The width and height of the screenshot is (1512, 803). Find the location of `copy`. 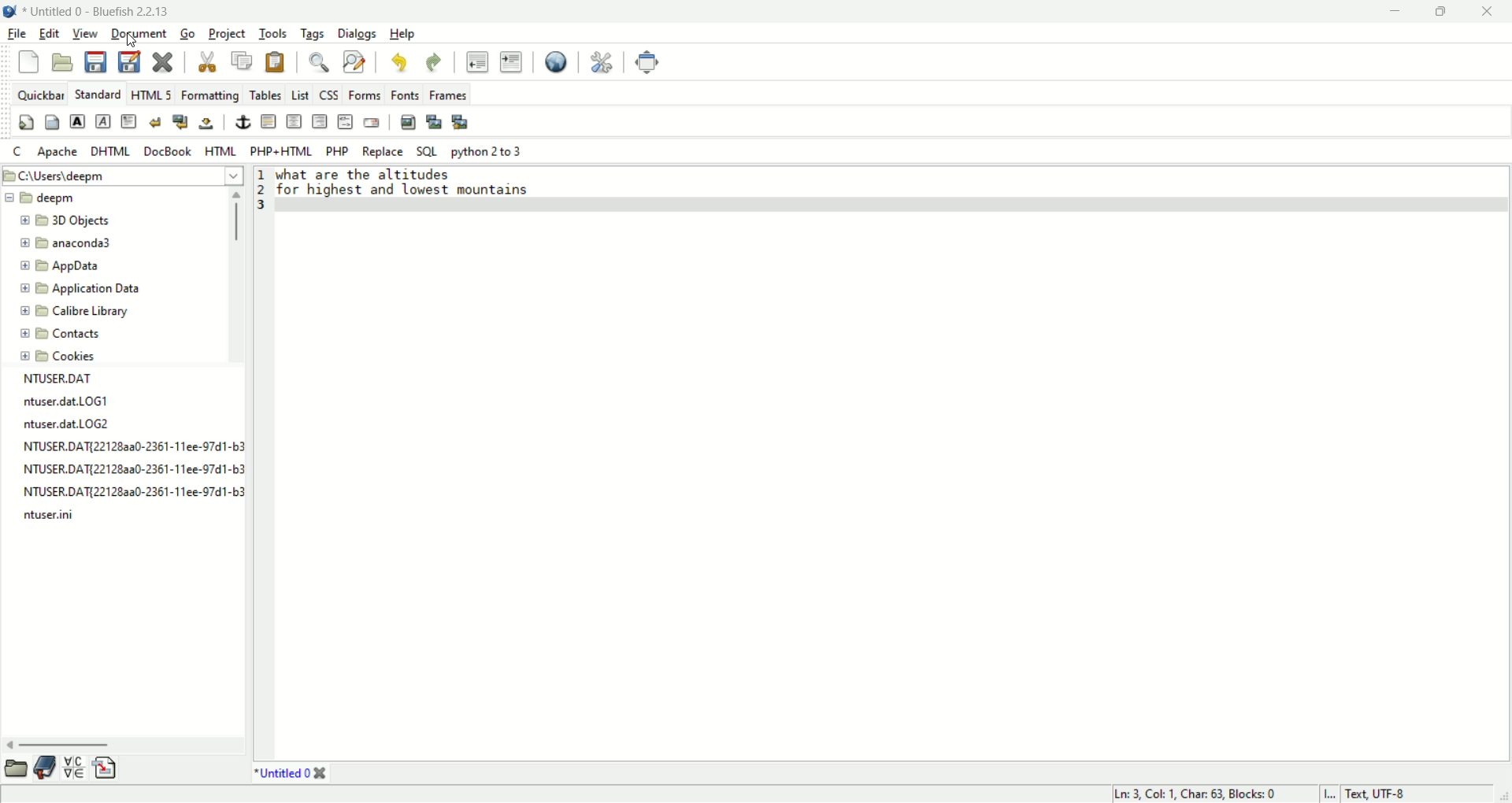

copy is located at coordinates (242, 61).